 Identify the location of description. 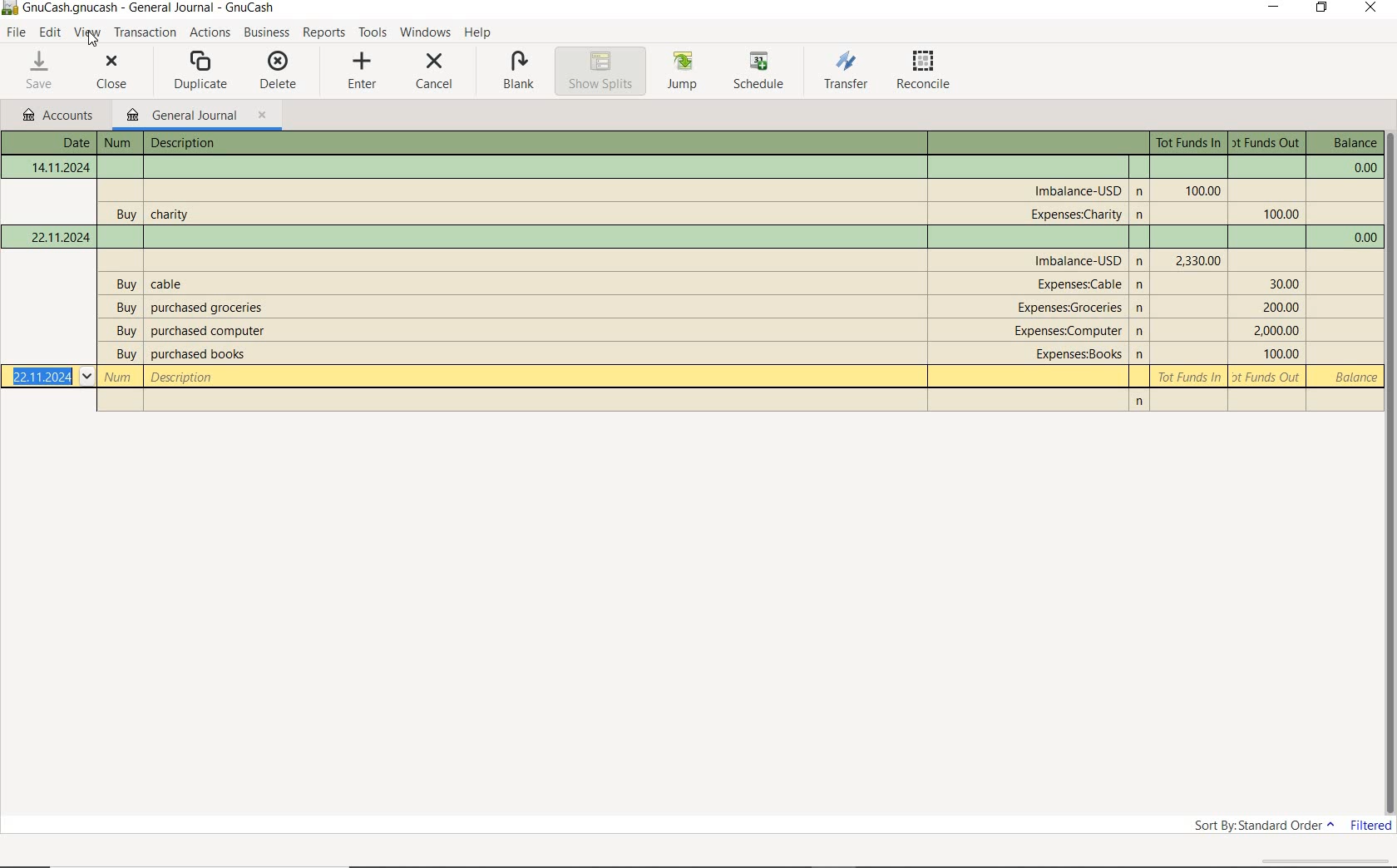
(186, 144).